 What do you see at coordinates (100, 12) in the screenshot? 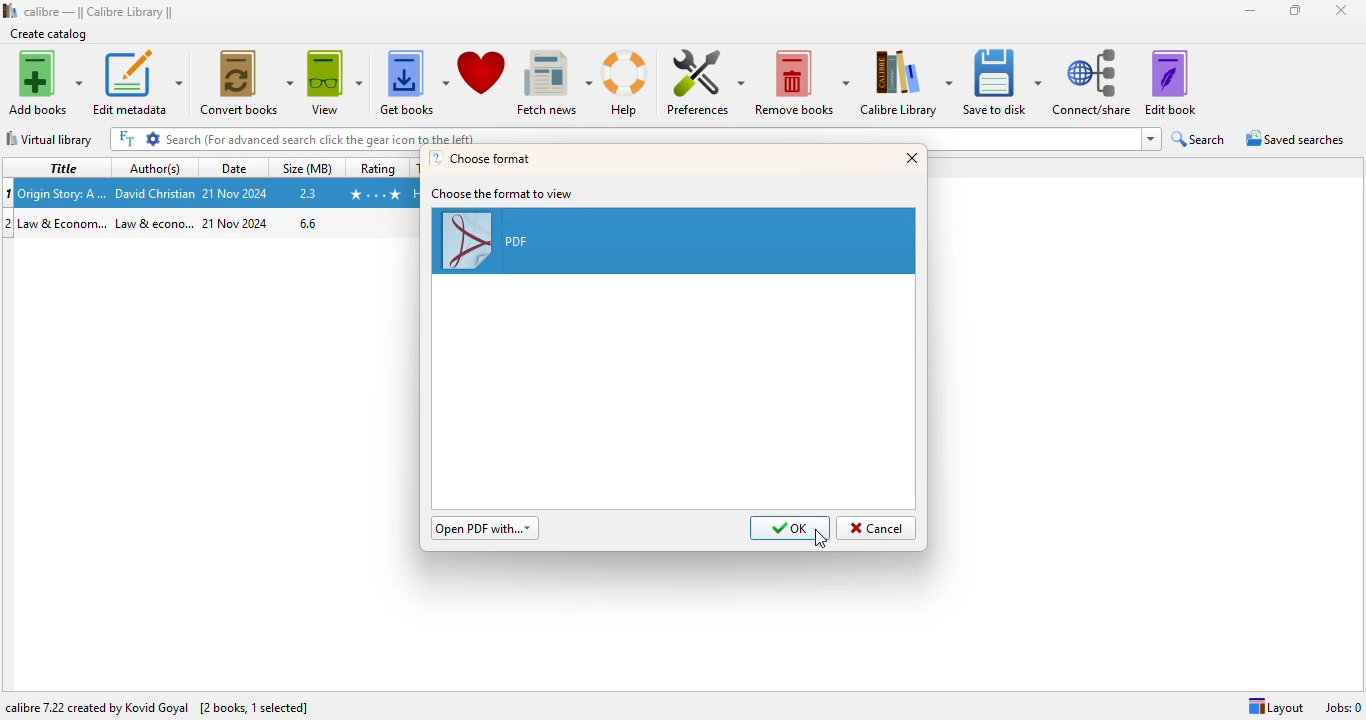
I see `calibre library` at bounding box center [100, 12].